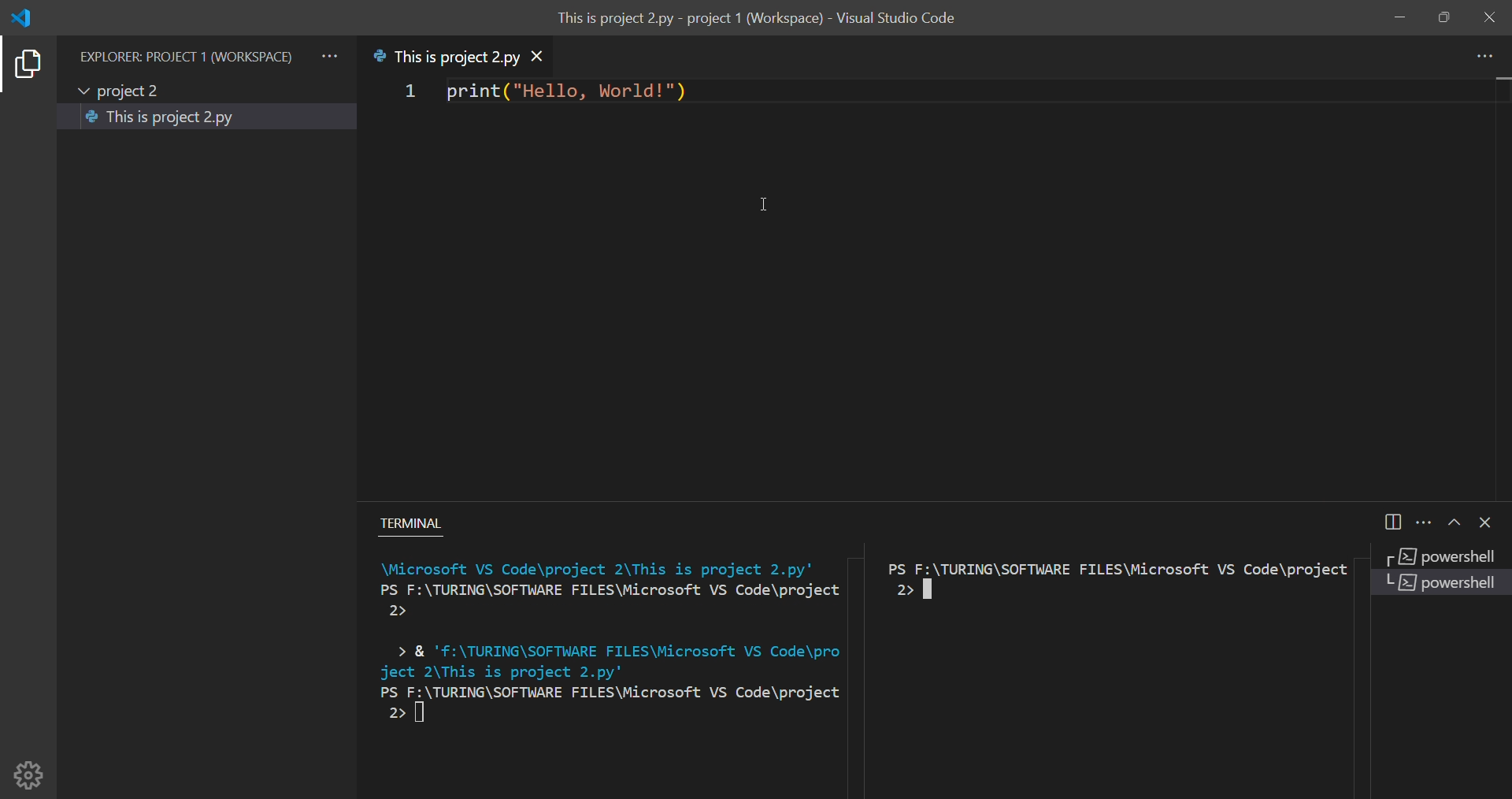 The height and width of the screenshot is (799, 1512). What do you see at coordinates (186, 48) in the screenshot?
I see `EXPLORER: PROJECT 1 (WORKSPACE)` at bounding box center [186, 48].